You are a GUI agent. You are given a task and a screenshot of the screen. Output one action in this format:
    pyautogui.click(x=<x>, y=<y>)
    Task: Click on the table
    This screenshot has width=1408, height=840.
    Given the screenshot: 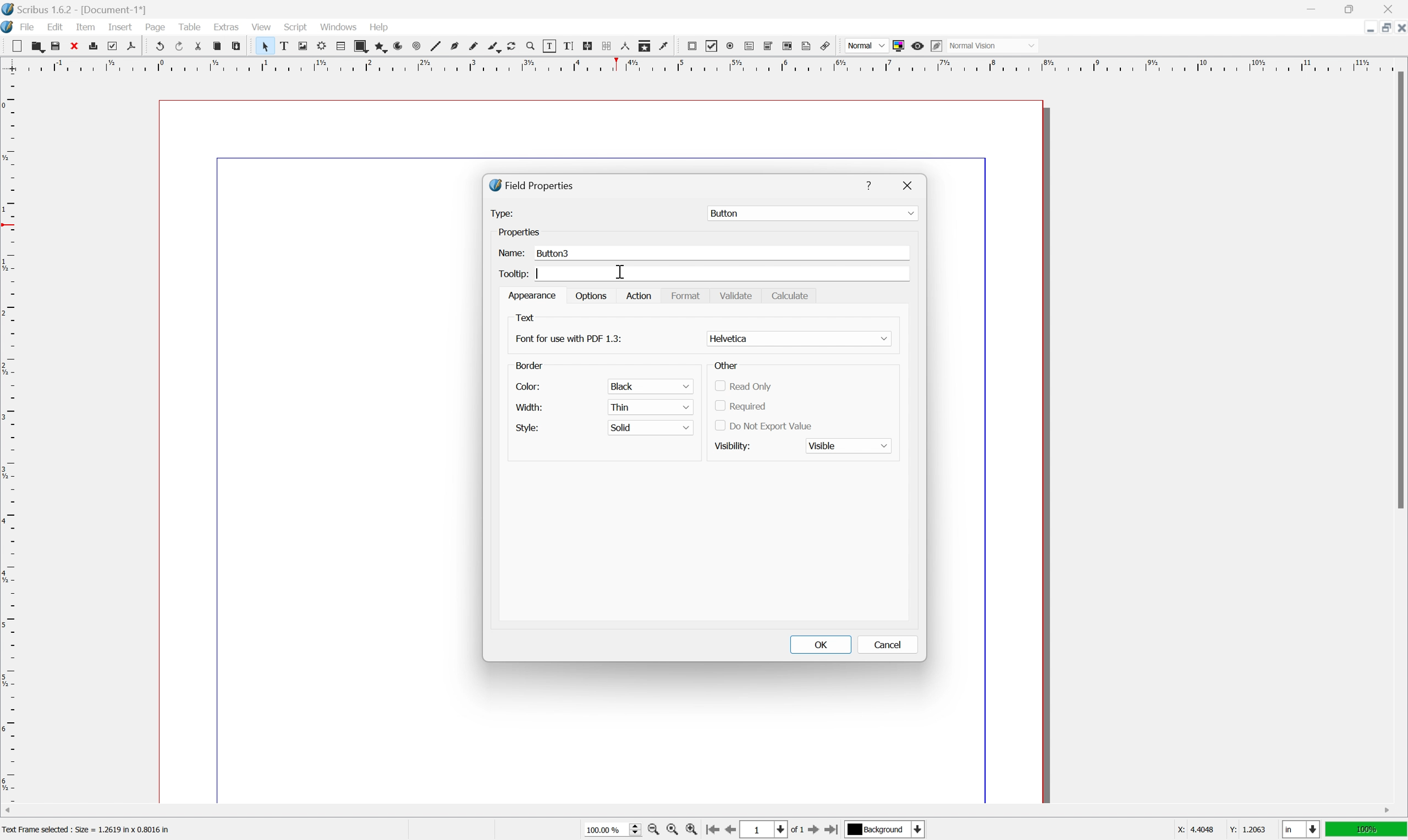 What is the action you would take?
    pyautogui.click(x=340, y=46)
    